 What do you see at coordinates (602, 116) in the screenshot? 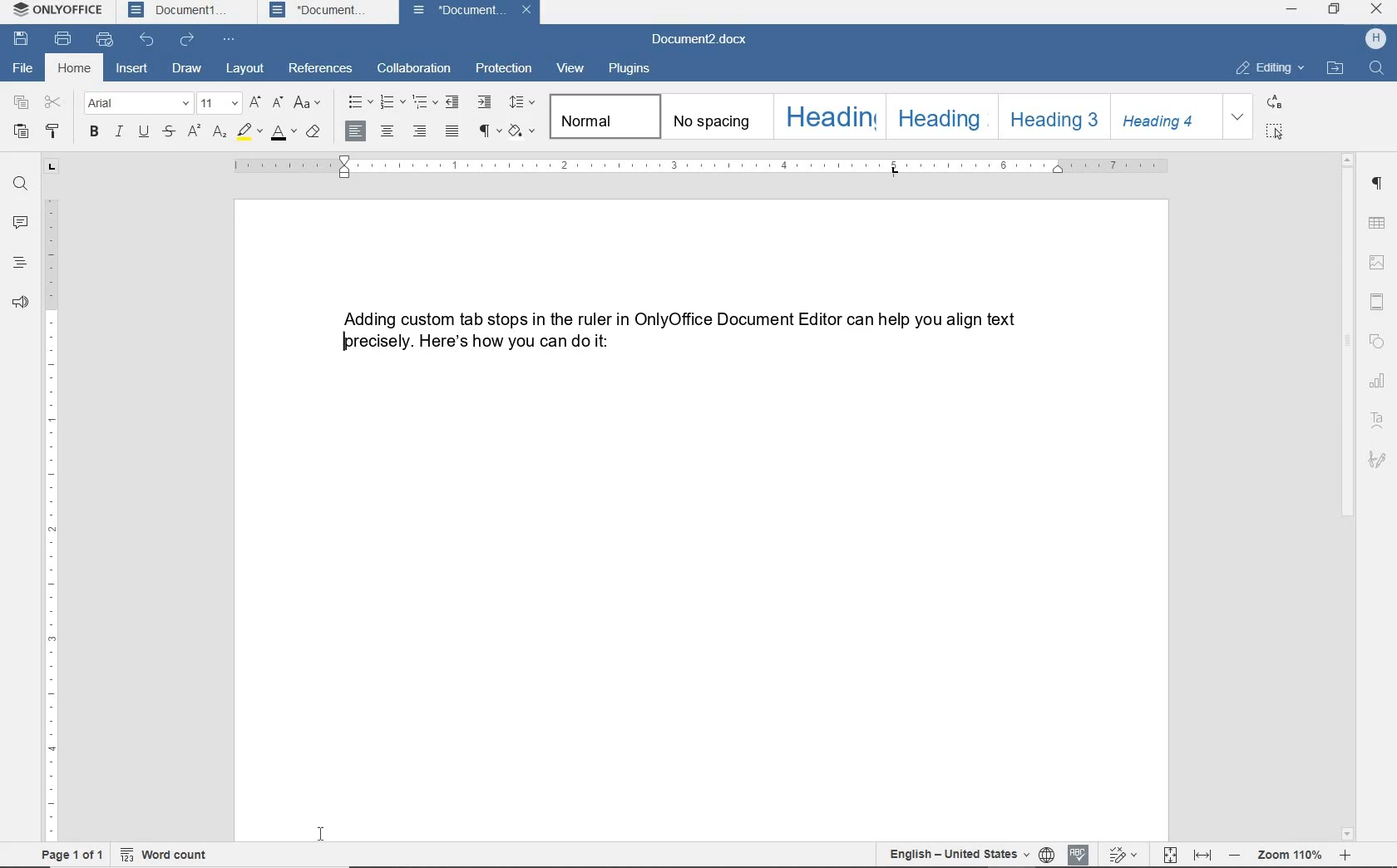
I see `normal` at bounding box center [602, 116].